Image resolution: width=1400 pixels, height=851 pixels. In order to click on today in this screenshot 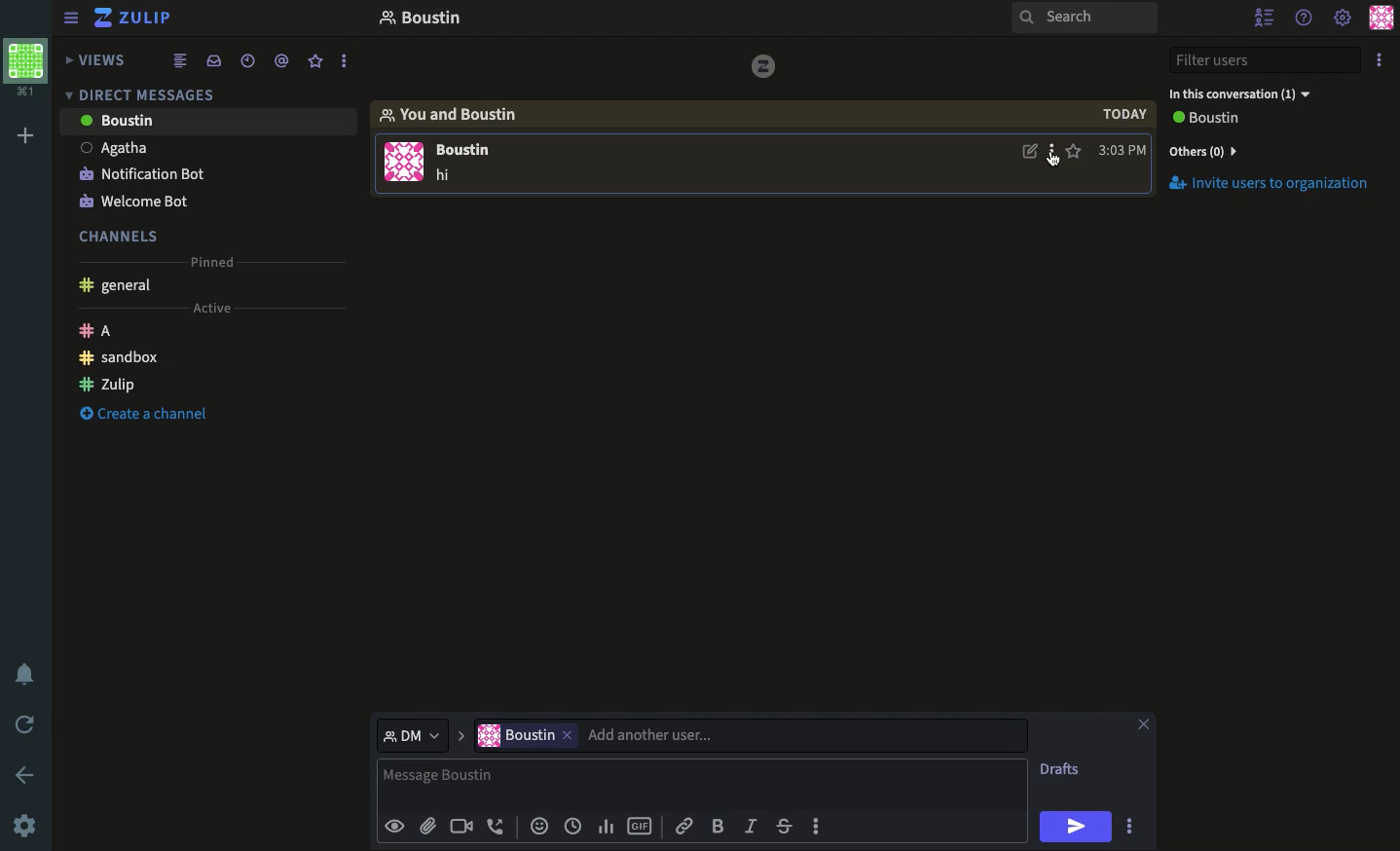, I will do `click(1126, 115)`.